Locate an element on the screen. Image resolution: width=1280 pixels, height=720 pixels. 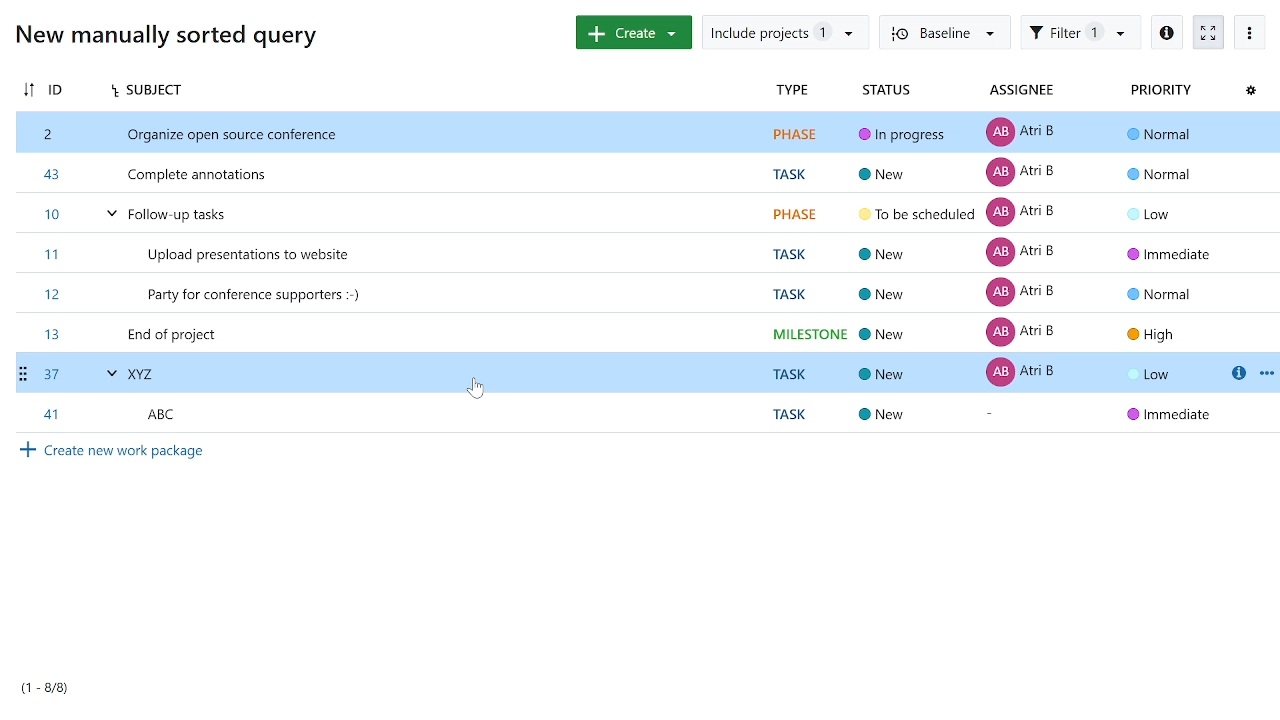
change position of the task "XYZ" is located at coordinates (27, 372).